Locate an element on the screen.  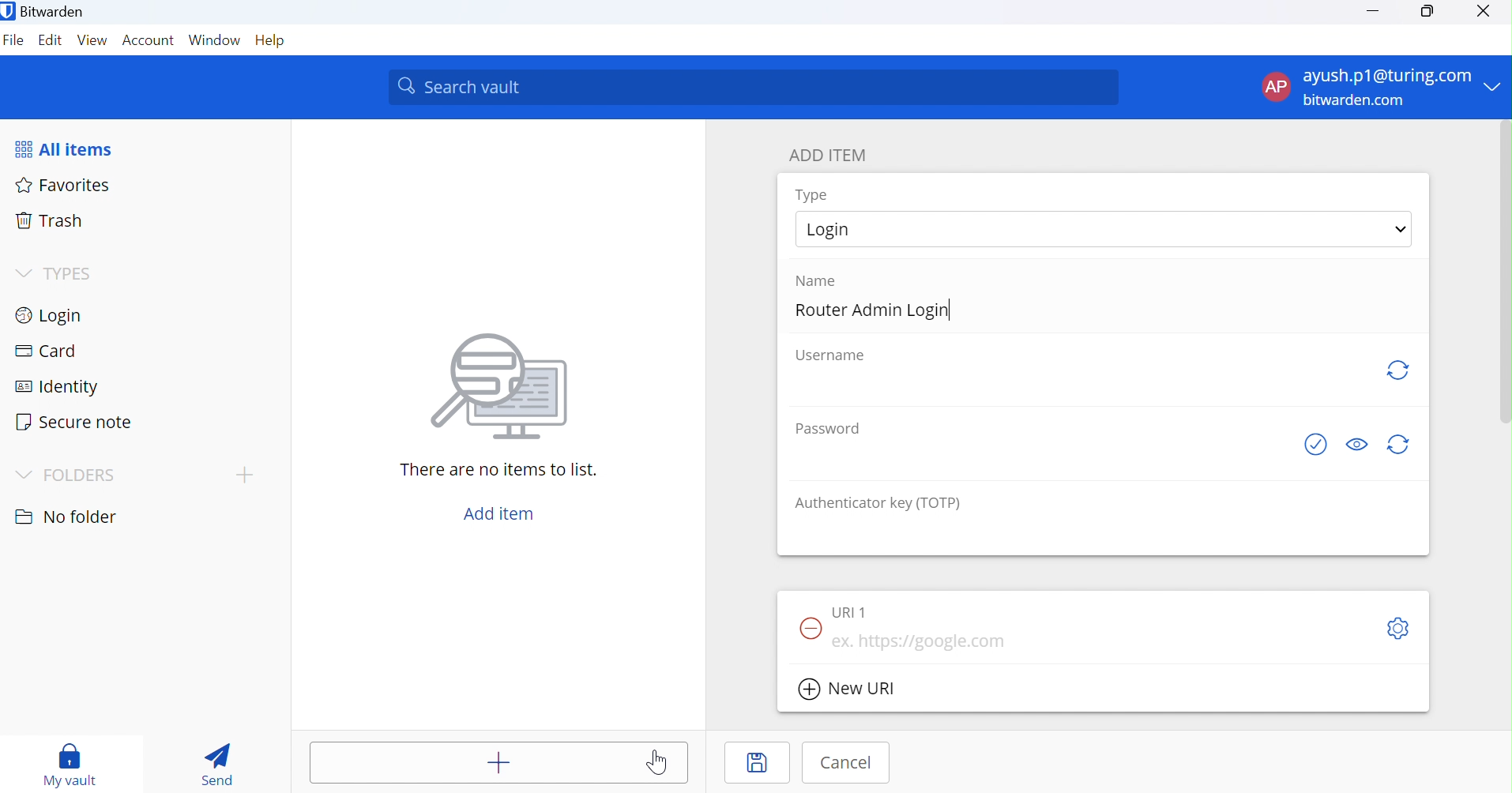
Bitwarden is located at coordinates (45, 10).